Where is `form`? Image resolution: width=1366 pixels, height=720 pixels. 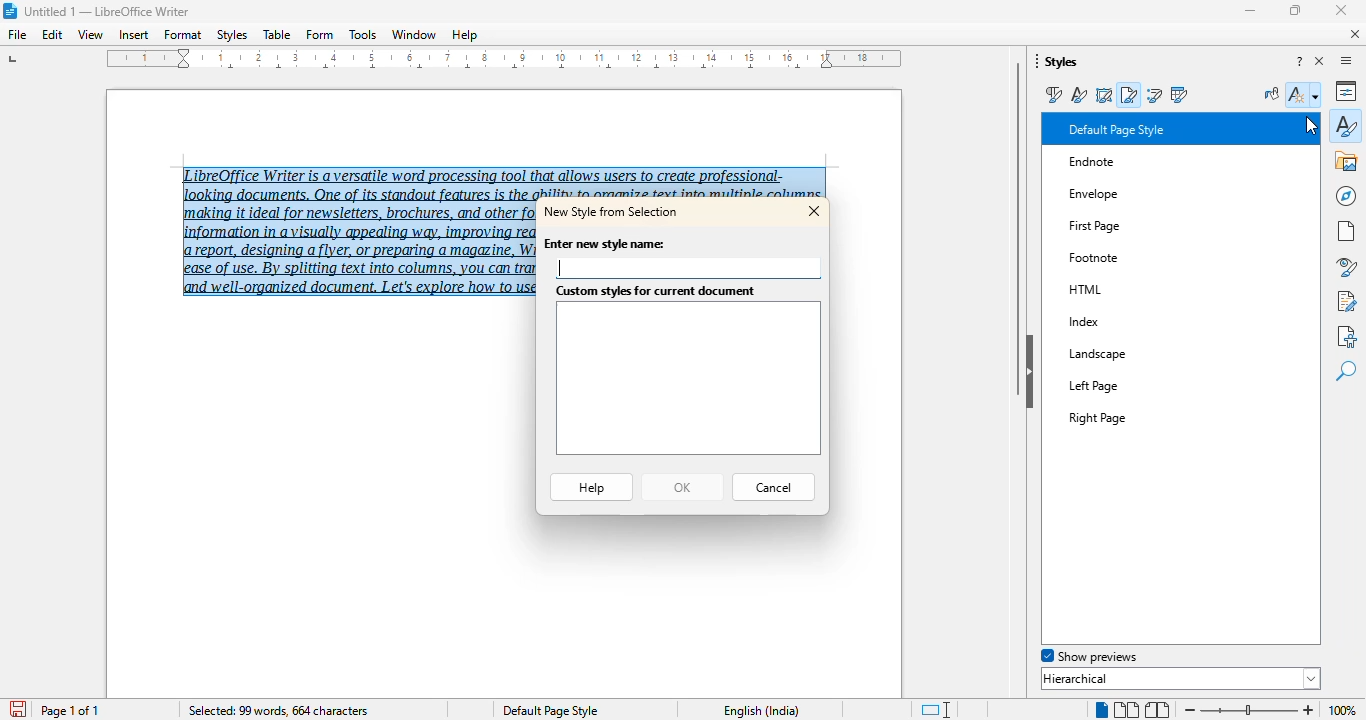
form is located at coordinates (320, 34).